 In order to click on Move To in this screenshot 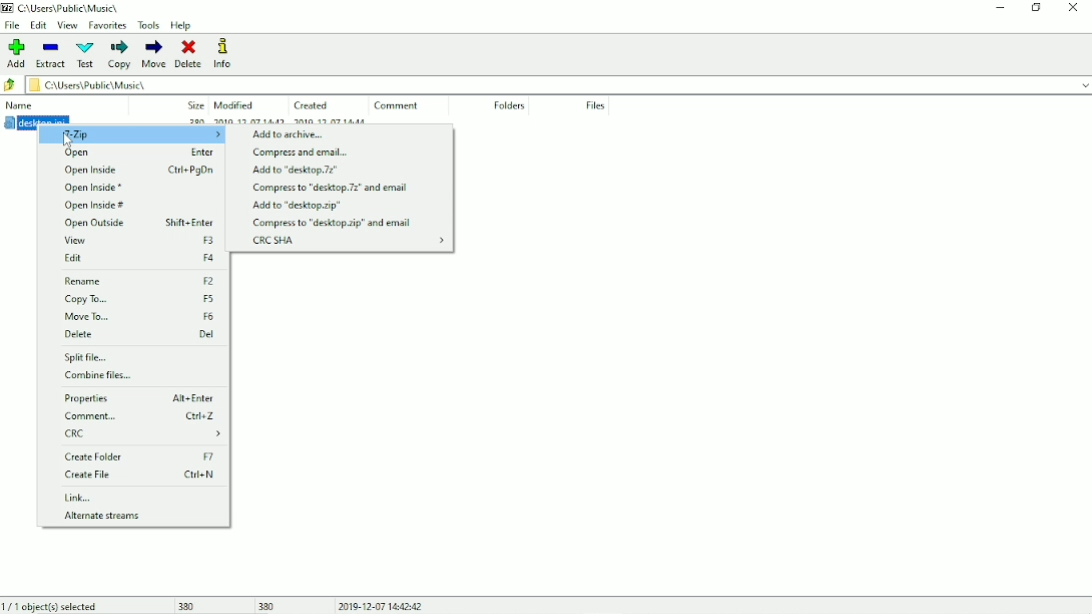, I will do `click(139, 316)`.